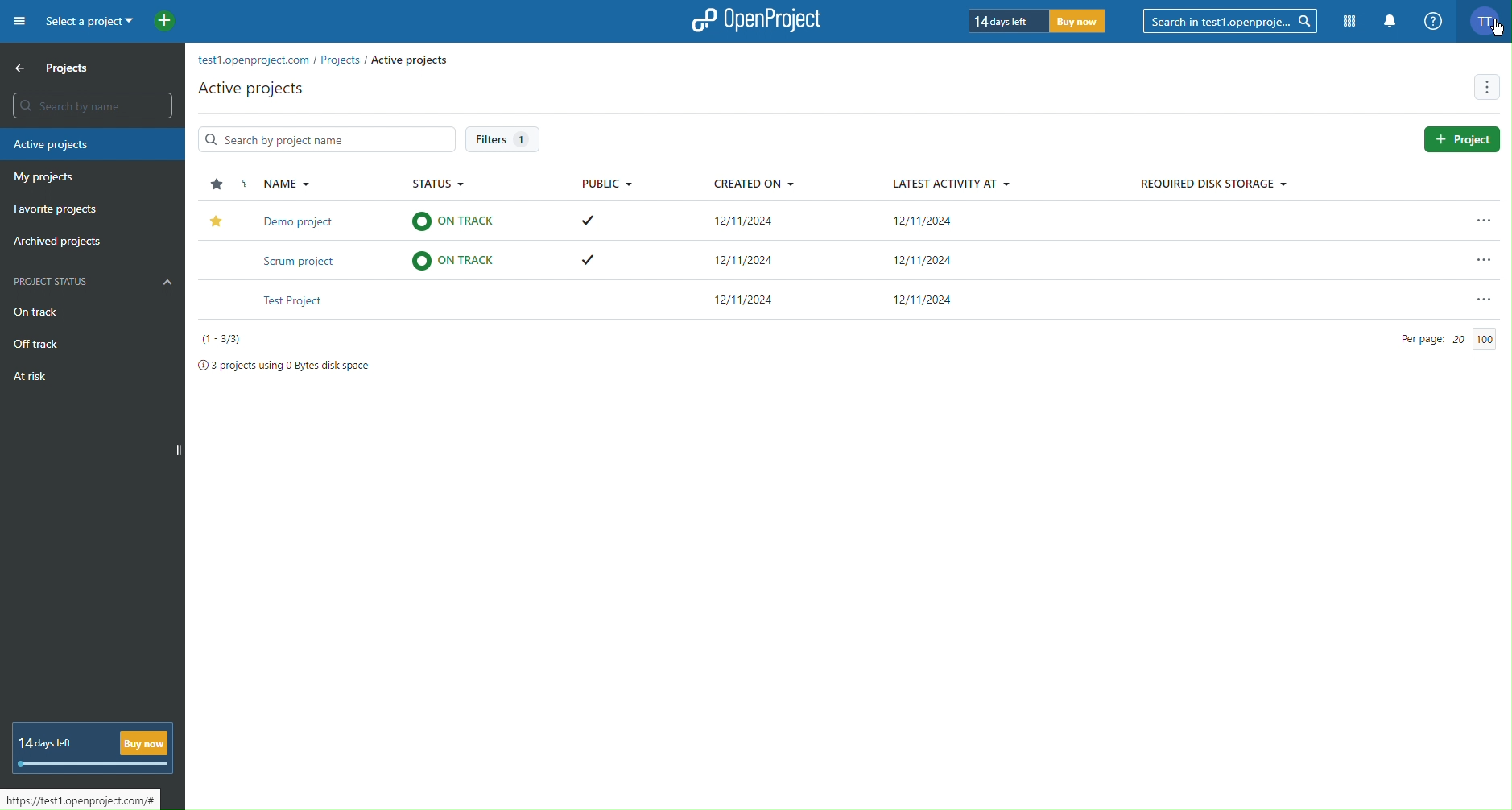 The height and width of the screenshot is (810, 1512). What do you see at coordinates (1210, 184) in the screenshot?
I see `Required Disk Storage` at bounding box center [1210, 184].